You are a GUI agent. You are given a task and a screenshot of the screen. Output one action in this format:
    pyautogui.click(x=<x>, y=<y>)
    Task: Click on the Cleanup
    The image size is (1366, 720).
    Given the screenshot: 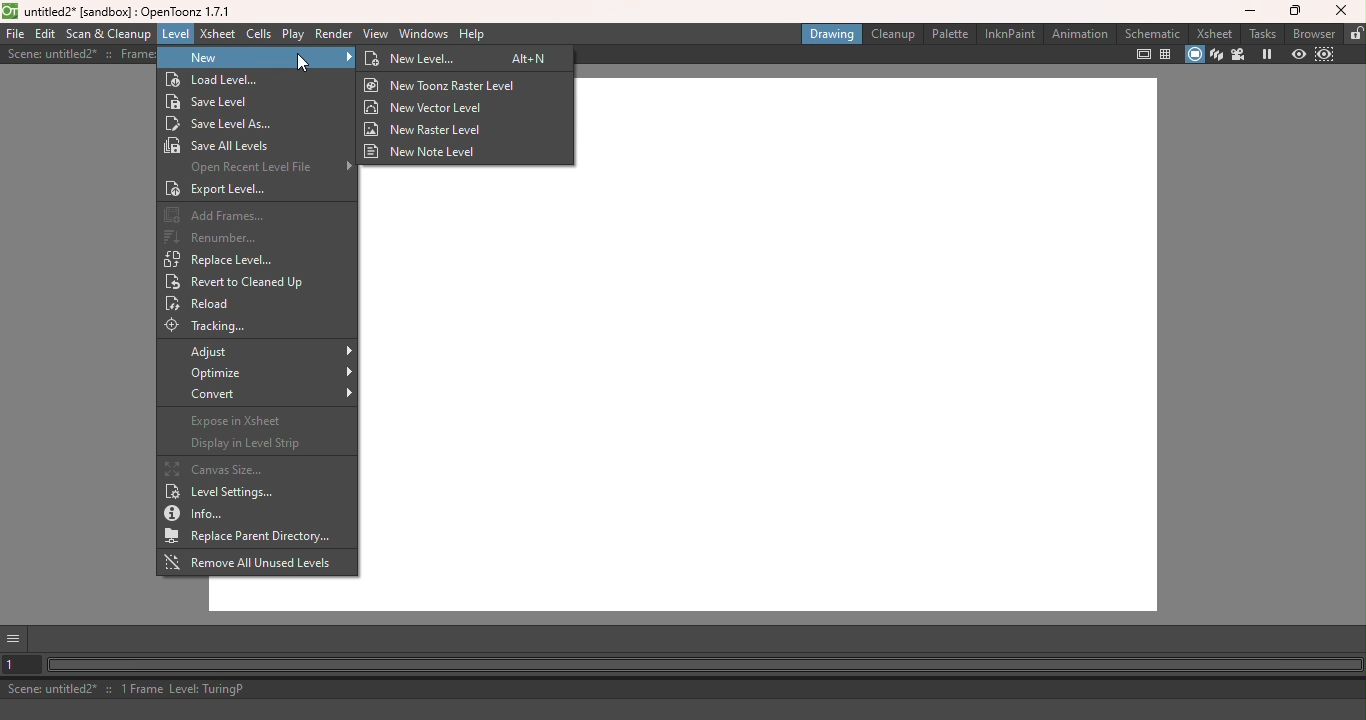 What is the action you would take?
    pyautogui.click(x=893, y=33)
    